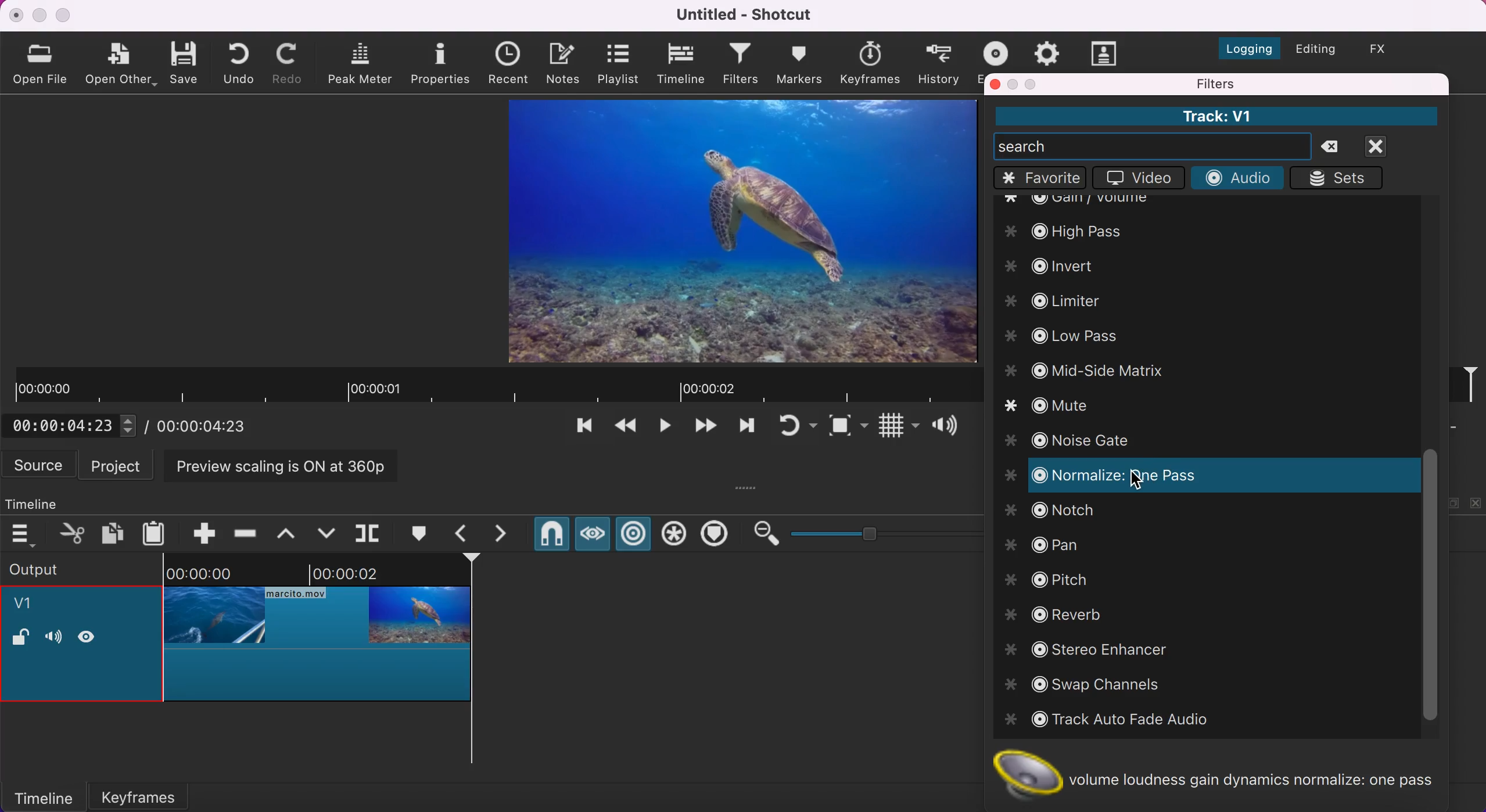 The width and height of the screenshot is (1486, 812). Describe the element at coordinates (53, 638) in the screenshot. I see `volume` at that location.